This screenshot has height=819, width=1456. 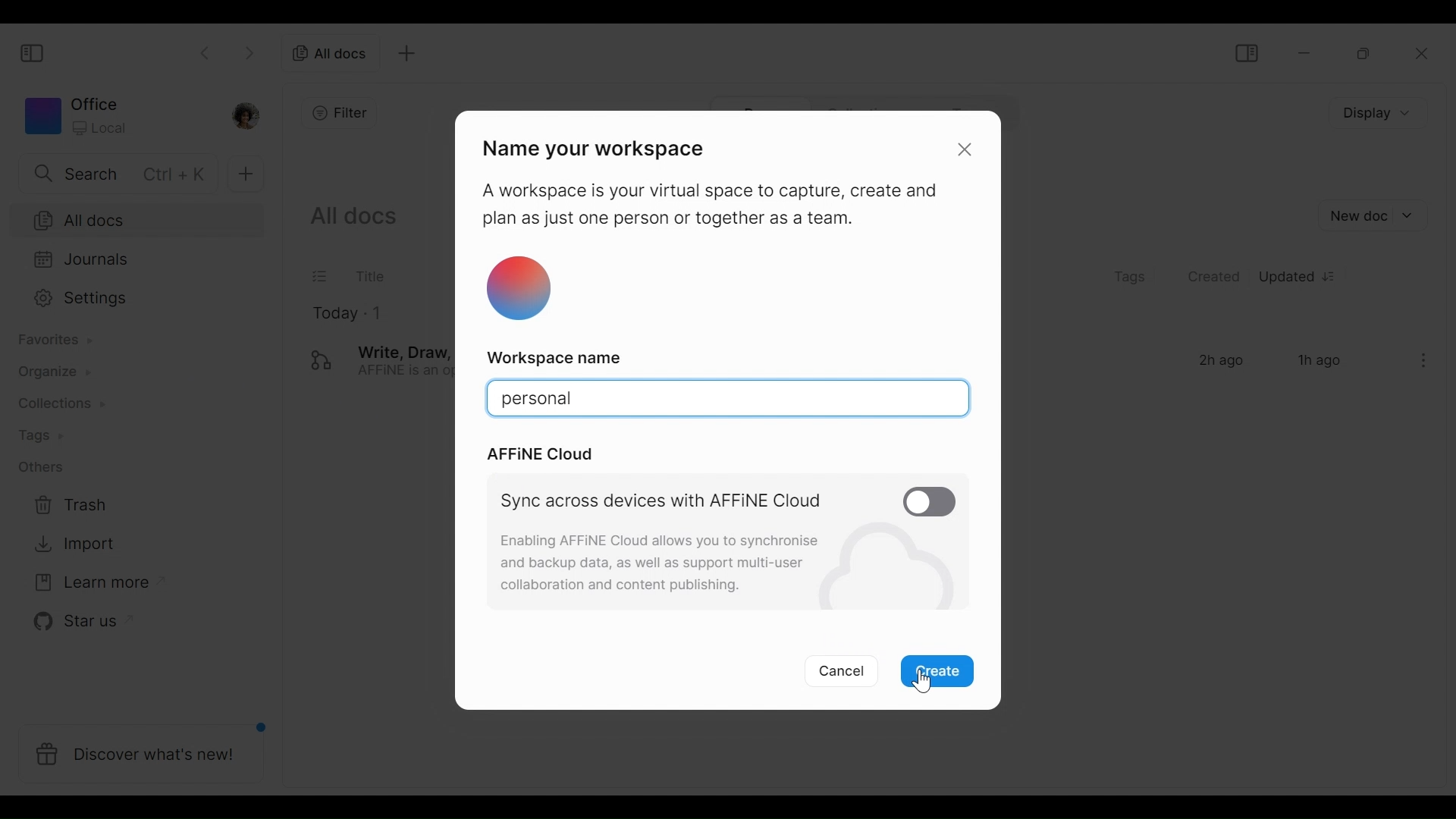 I want to click on Go back, so click(x=206, y=55).